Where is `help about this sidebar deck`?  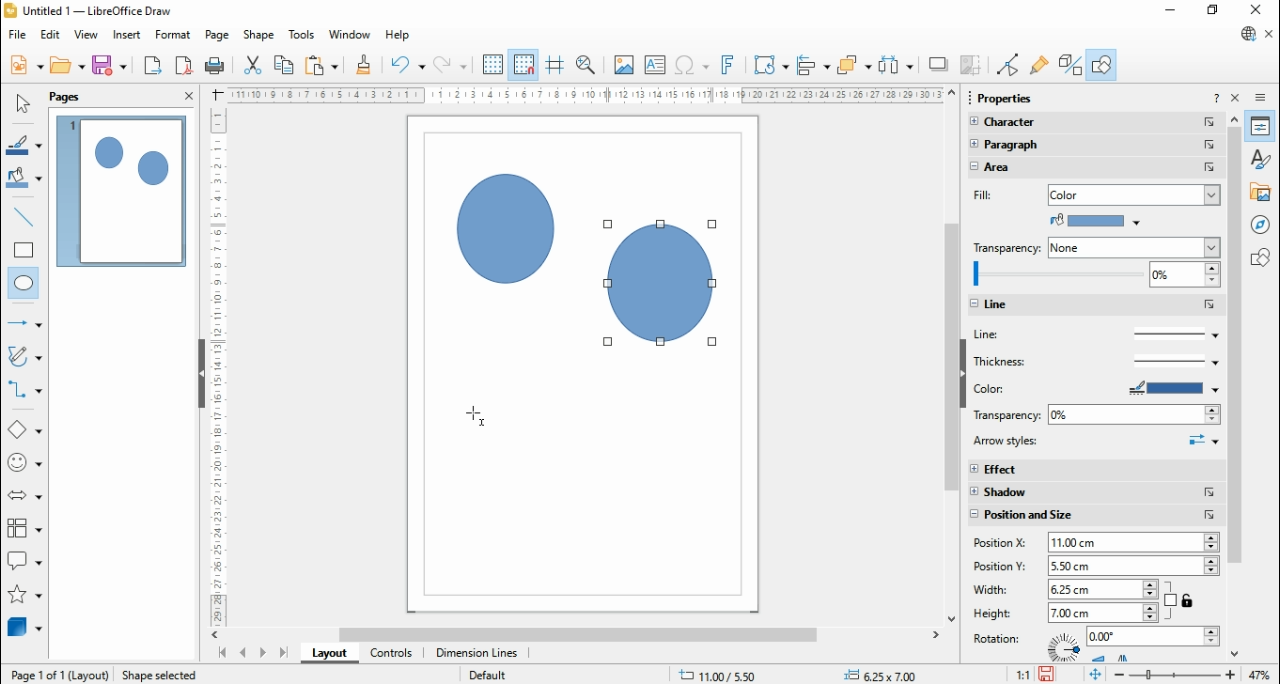
help about this sidebar deck is located at coordinates (1216, 97).